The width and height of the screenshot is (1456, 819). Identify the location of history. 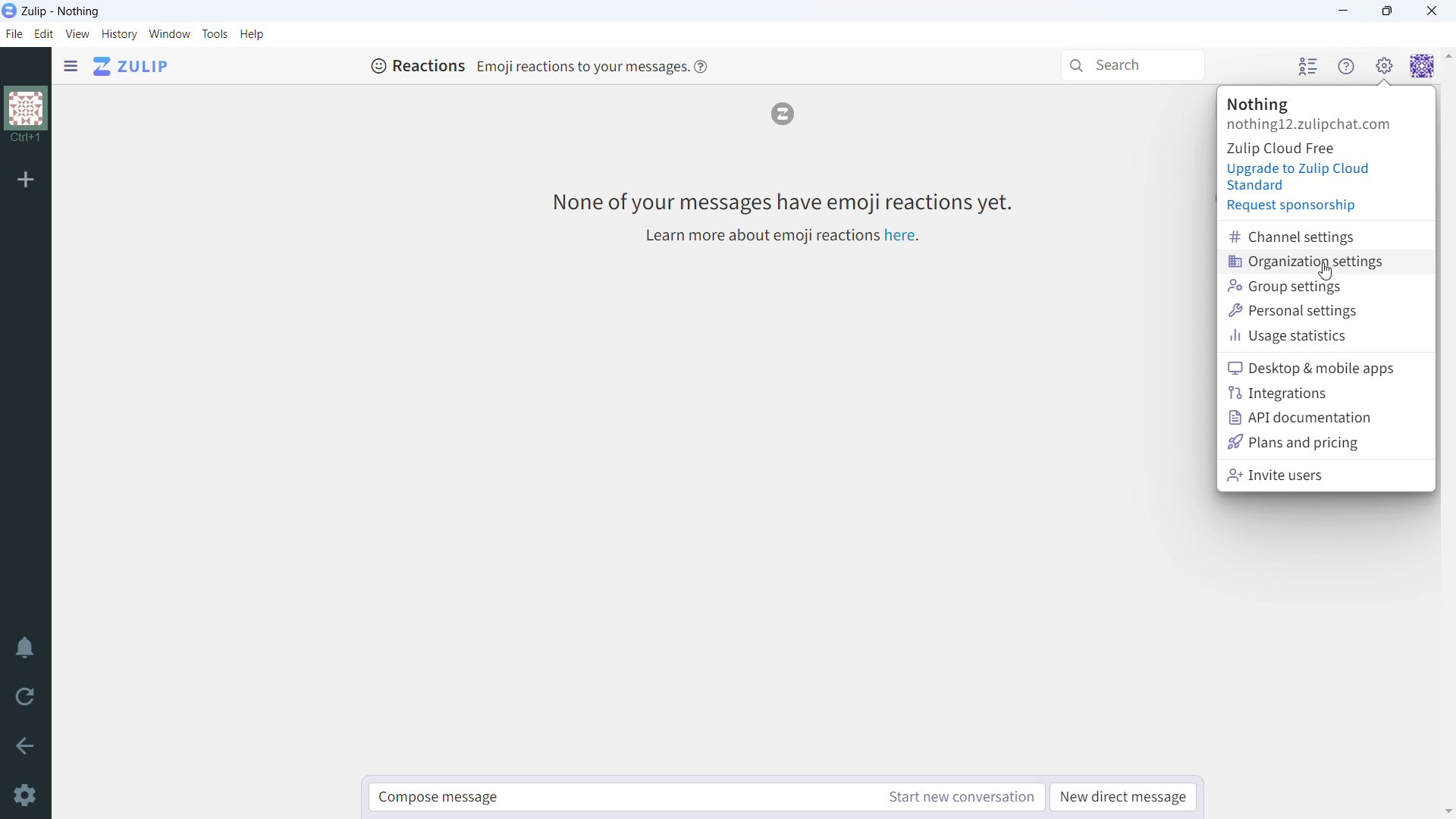
(119, 34).